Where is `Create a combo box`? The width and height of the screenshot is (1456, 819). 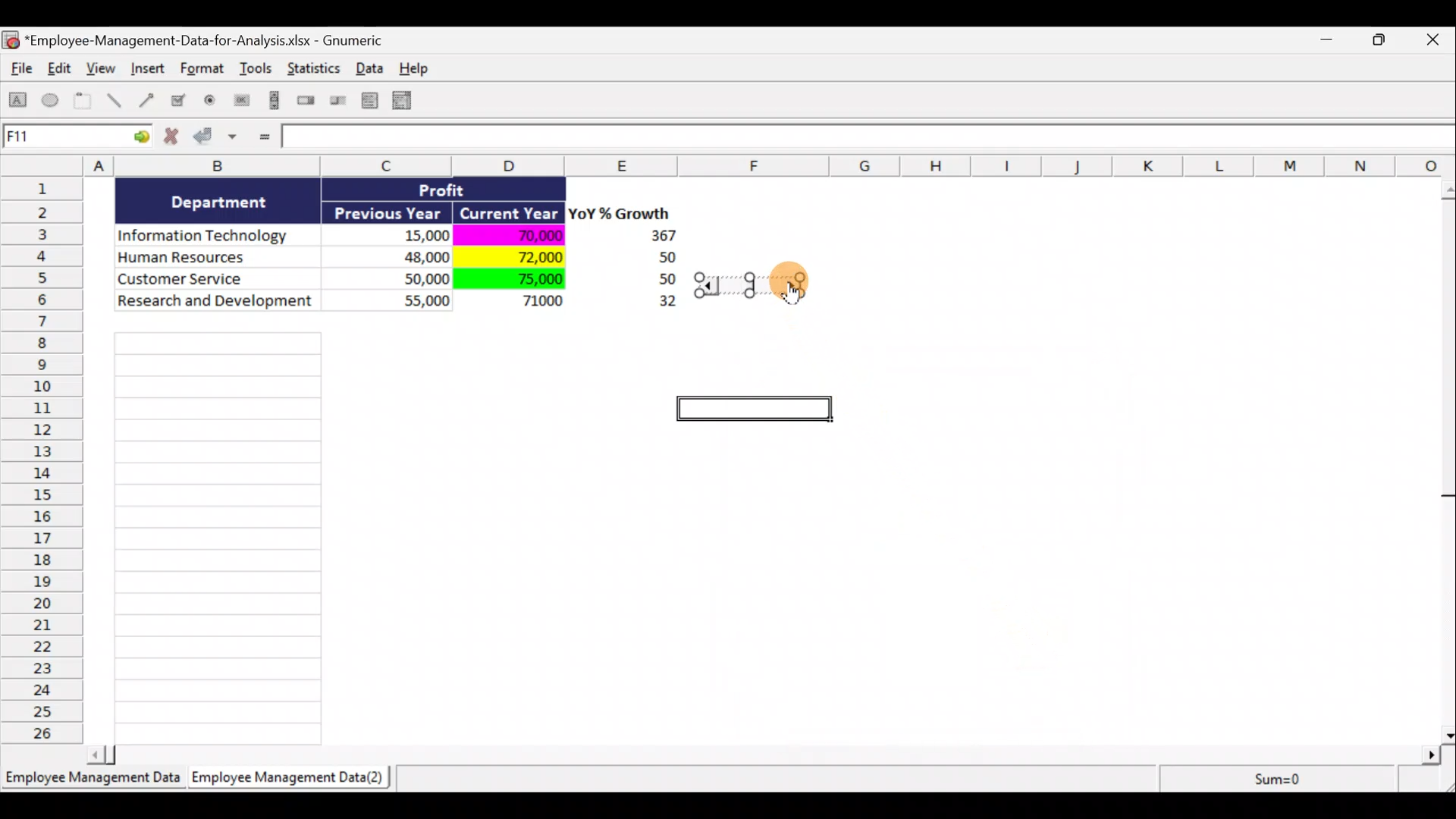
Create a combo box is located at coordinates (409, 101).